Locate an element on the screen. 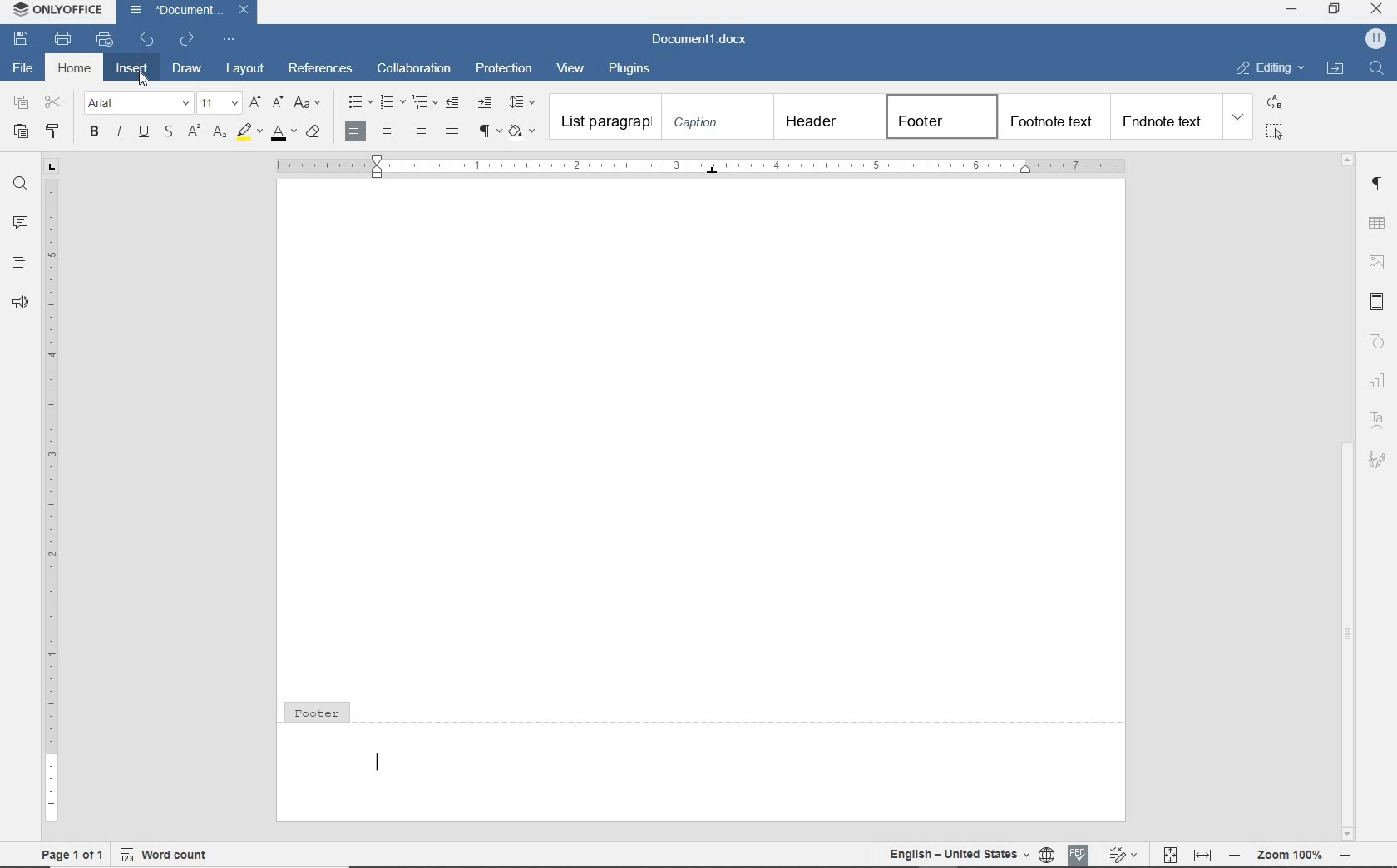  cut is located at coordinates (52, 103).